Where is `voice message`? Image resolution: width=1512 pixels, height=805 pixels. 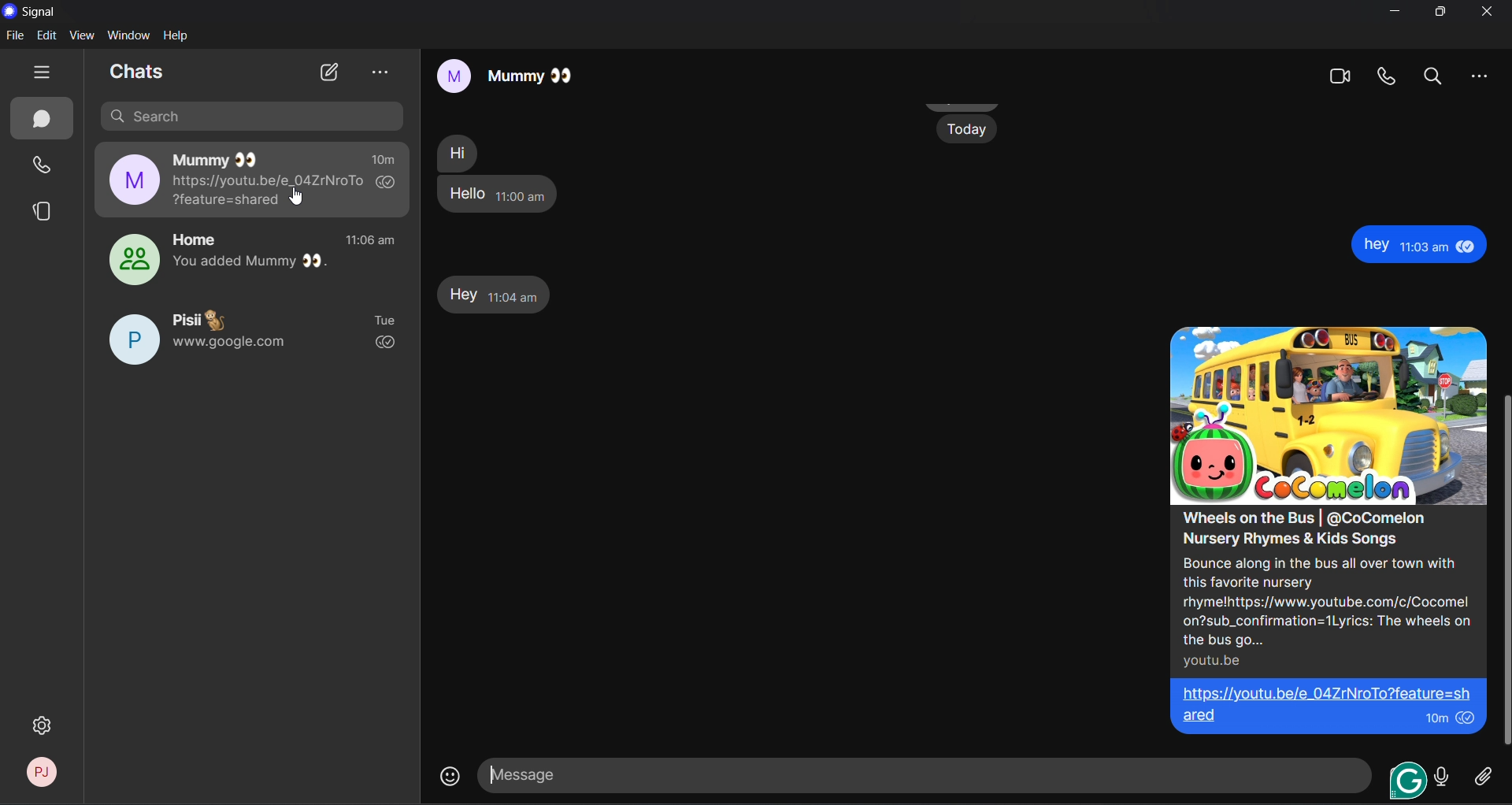
voice message is located at coordinates (1447, 781).